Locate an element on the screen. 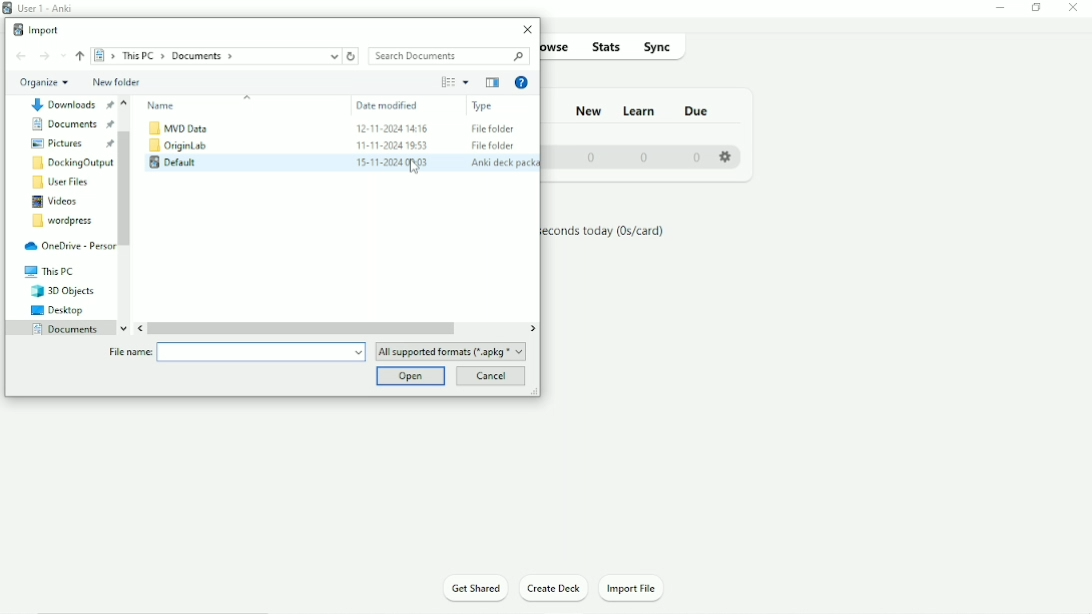 The width and height of the screenshot is (1092, 614). Right is located at coordinates (531, 327).